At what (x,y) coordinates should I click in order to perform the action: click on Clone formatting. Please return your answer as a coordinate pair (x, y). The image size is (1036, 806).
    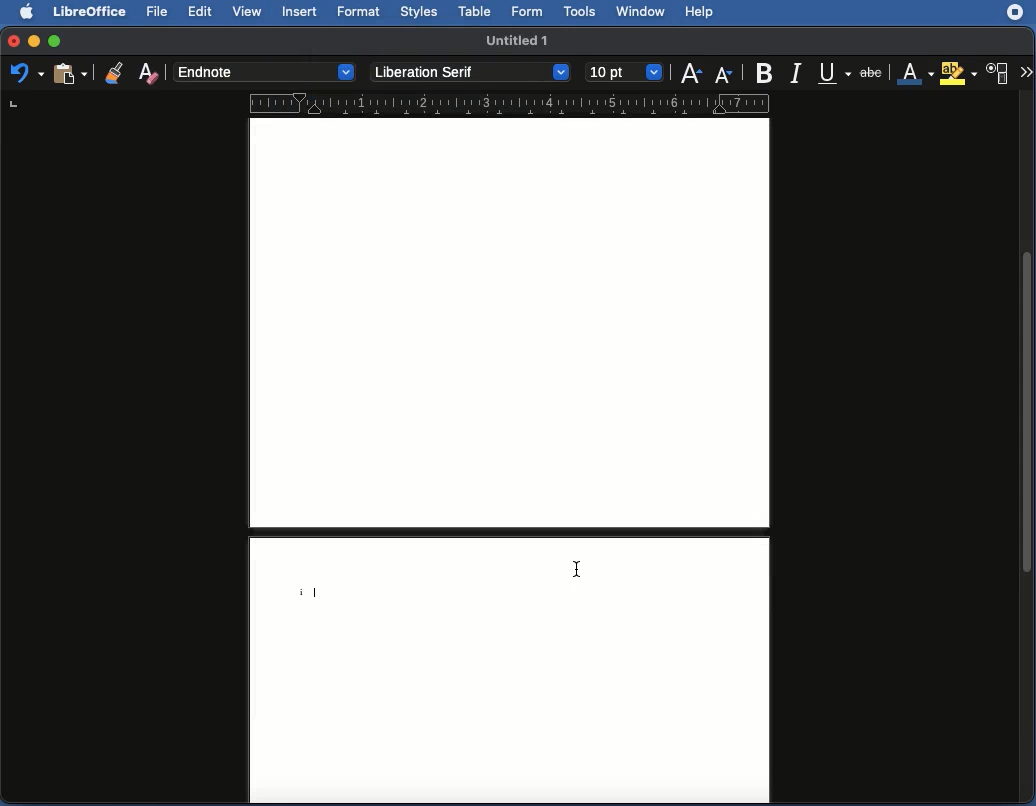
    Looking at the image, I should click on (115, 70).